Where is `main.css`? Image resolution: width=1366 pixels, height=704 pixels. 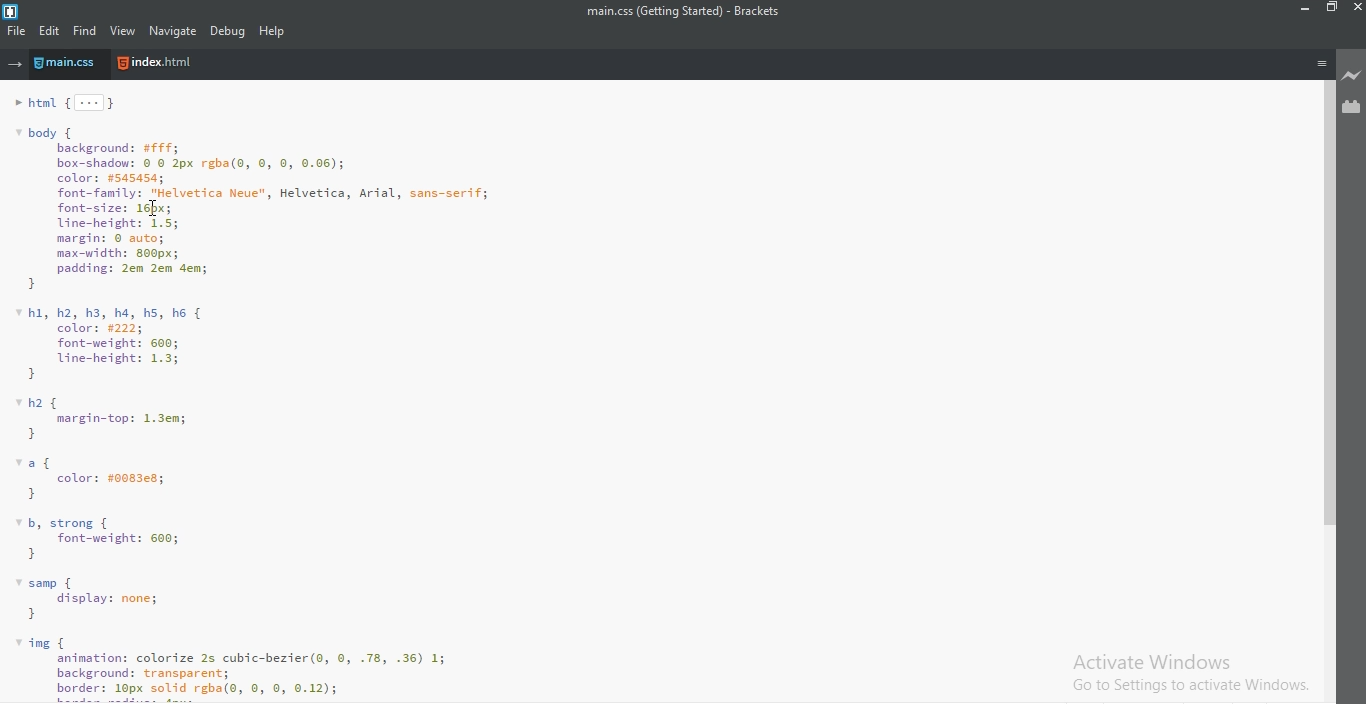
main.css is located at coordinates (73, 65).